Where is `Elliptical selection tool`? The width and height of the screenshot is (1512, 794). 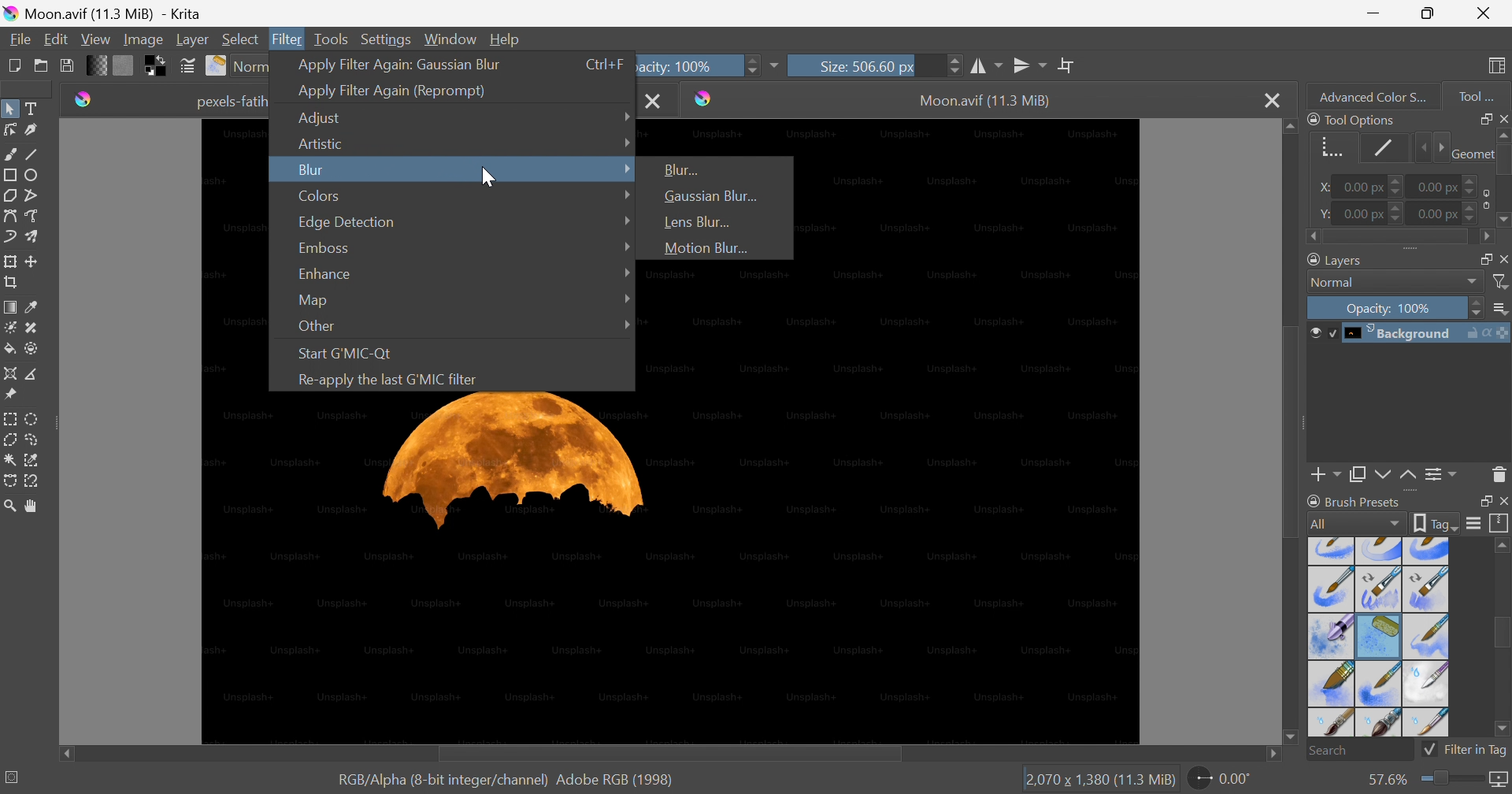 Elliptical selection tool is located at coordinates (33, 420).